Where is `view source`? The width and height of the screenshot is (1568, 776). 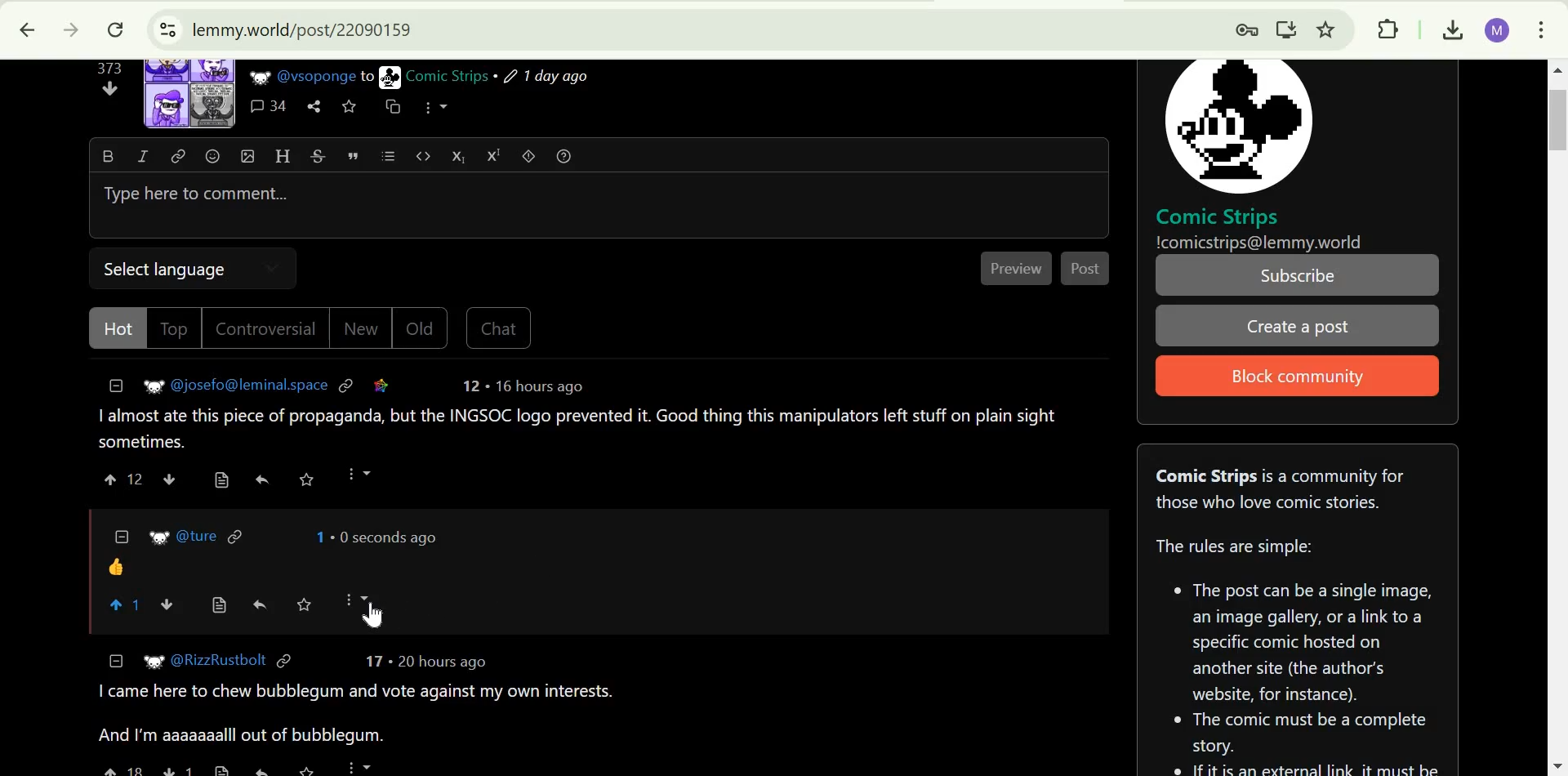 view source is located at coordinates (222, 479).